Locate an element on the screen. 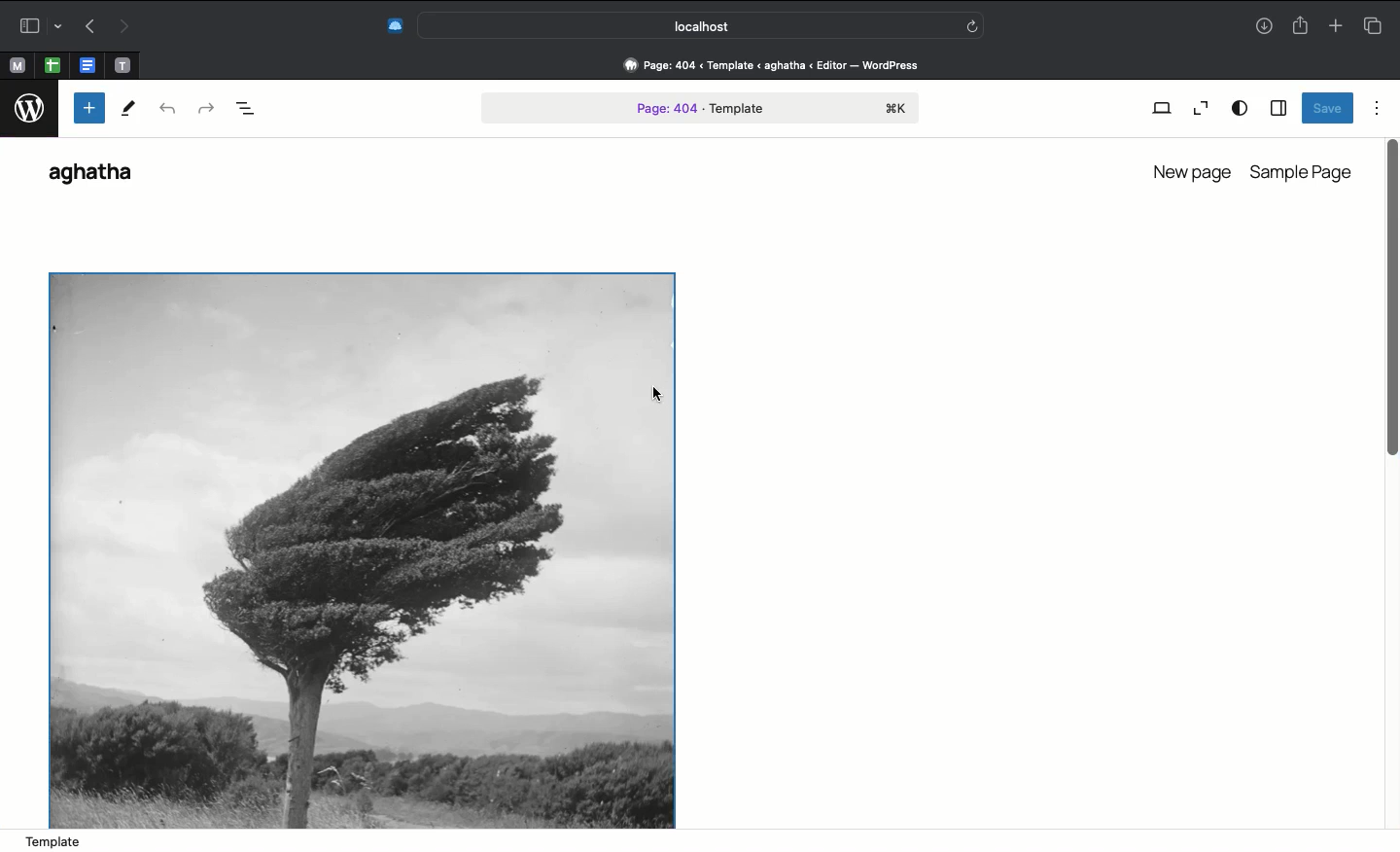 The height and width of the screenshot is (852, 1400). Sample page is located at coordinates (1304, 172).